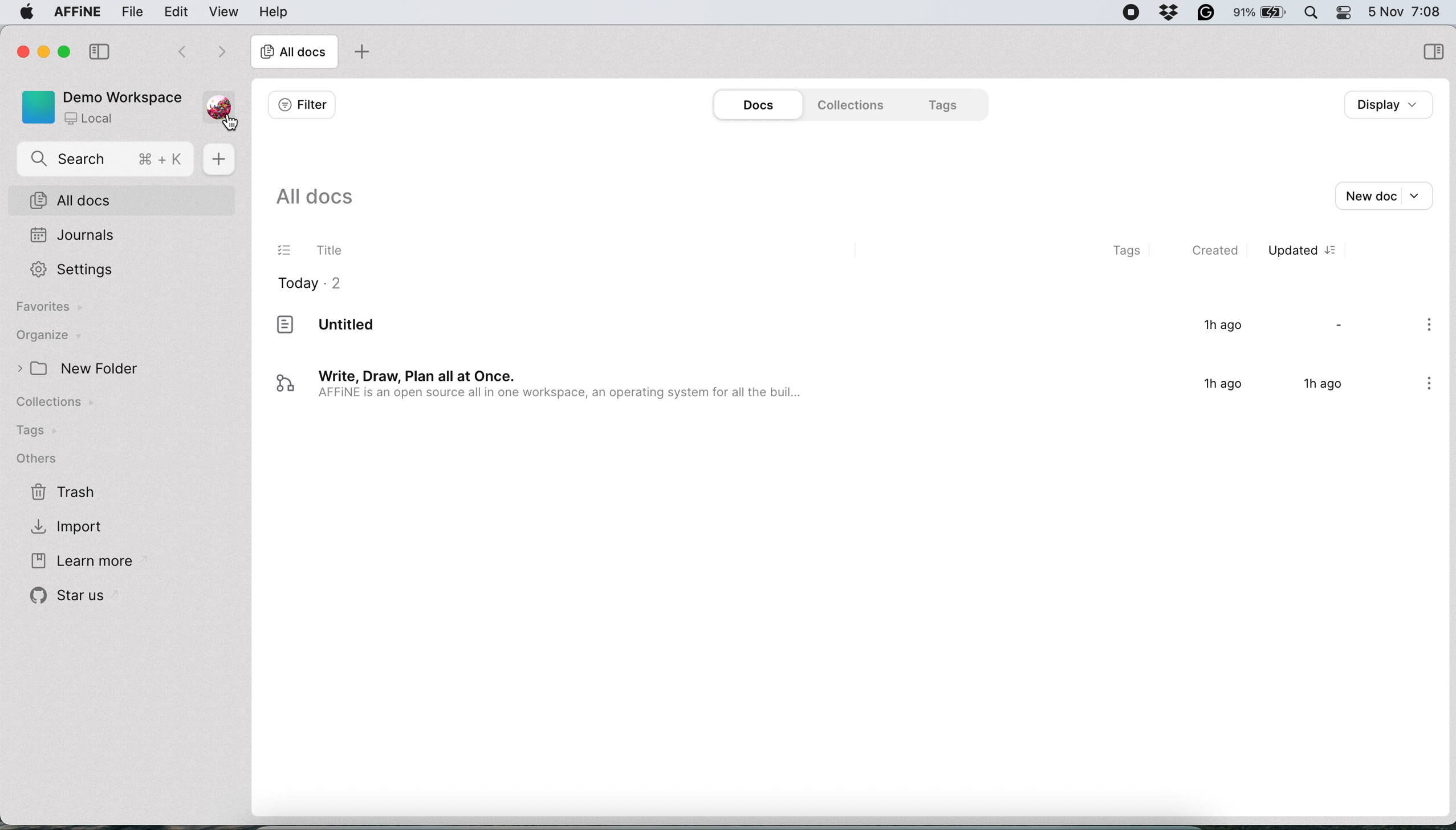  What do you see at coordinates (1207, 13) in the screenshot?
I see `grammarly` at bounding box center [1207, 13].